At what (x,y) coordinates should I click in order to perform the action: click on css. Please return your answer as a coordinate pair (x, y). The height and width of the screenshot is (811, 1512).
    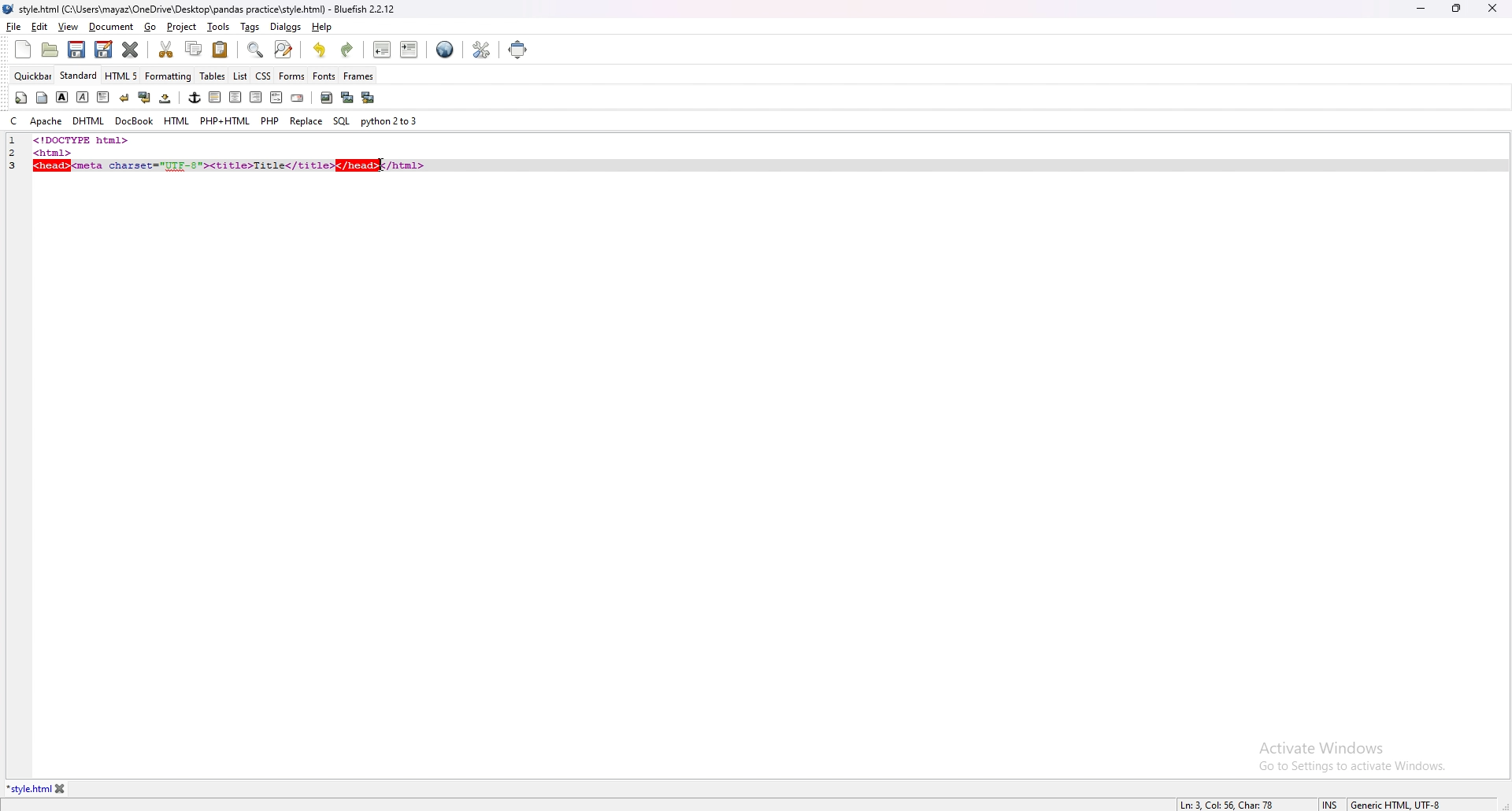
    Looking at the image, I should click on (264, 75).